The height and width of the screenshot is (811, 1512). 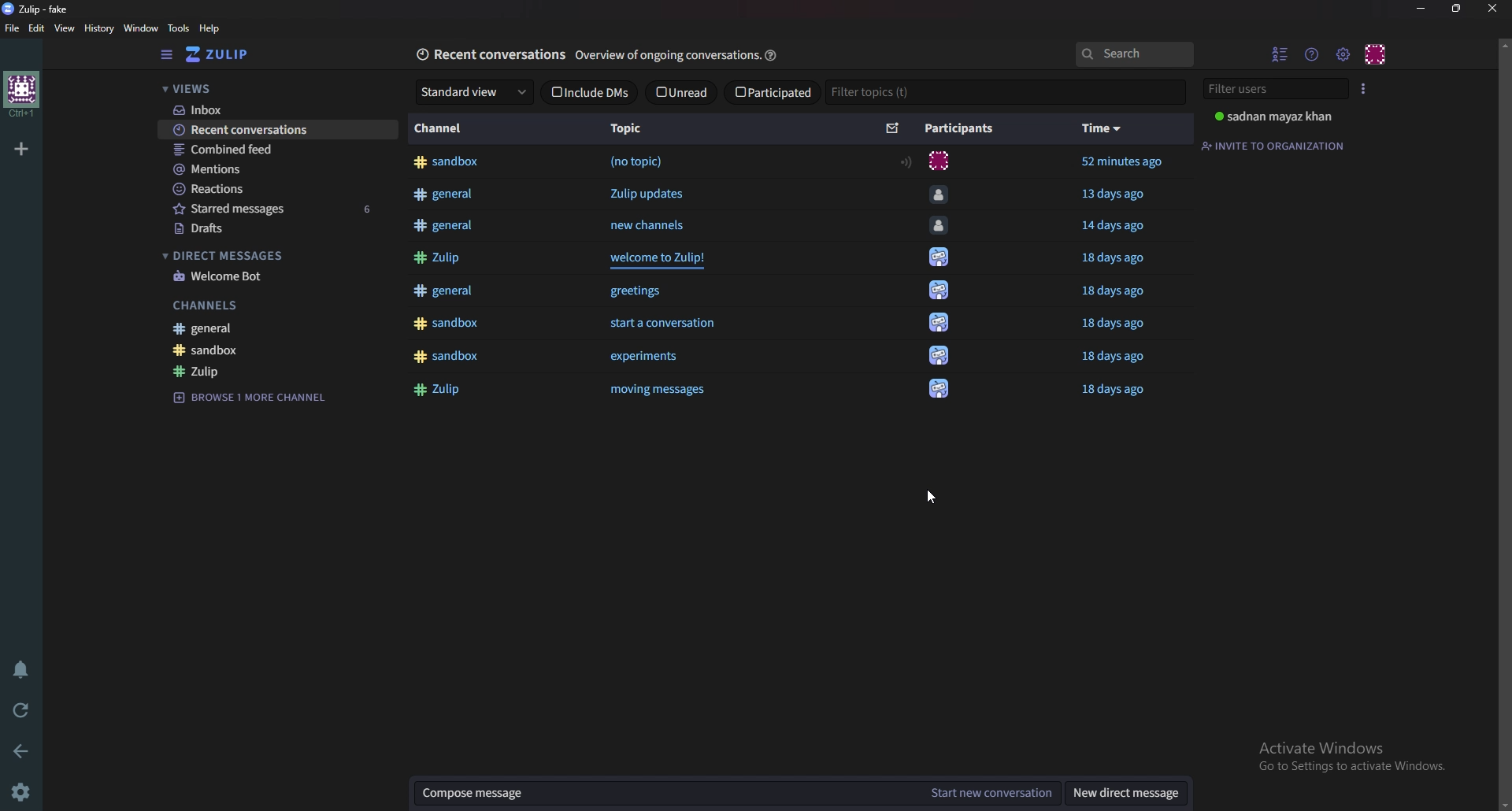 I want to click on search, so click(x=1133, y=54).